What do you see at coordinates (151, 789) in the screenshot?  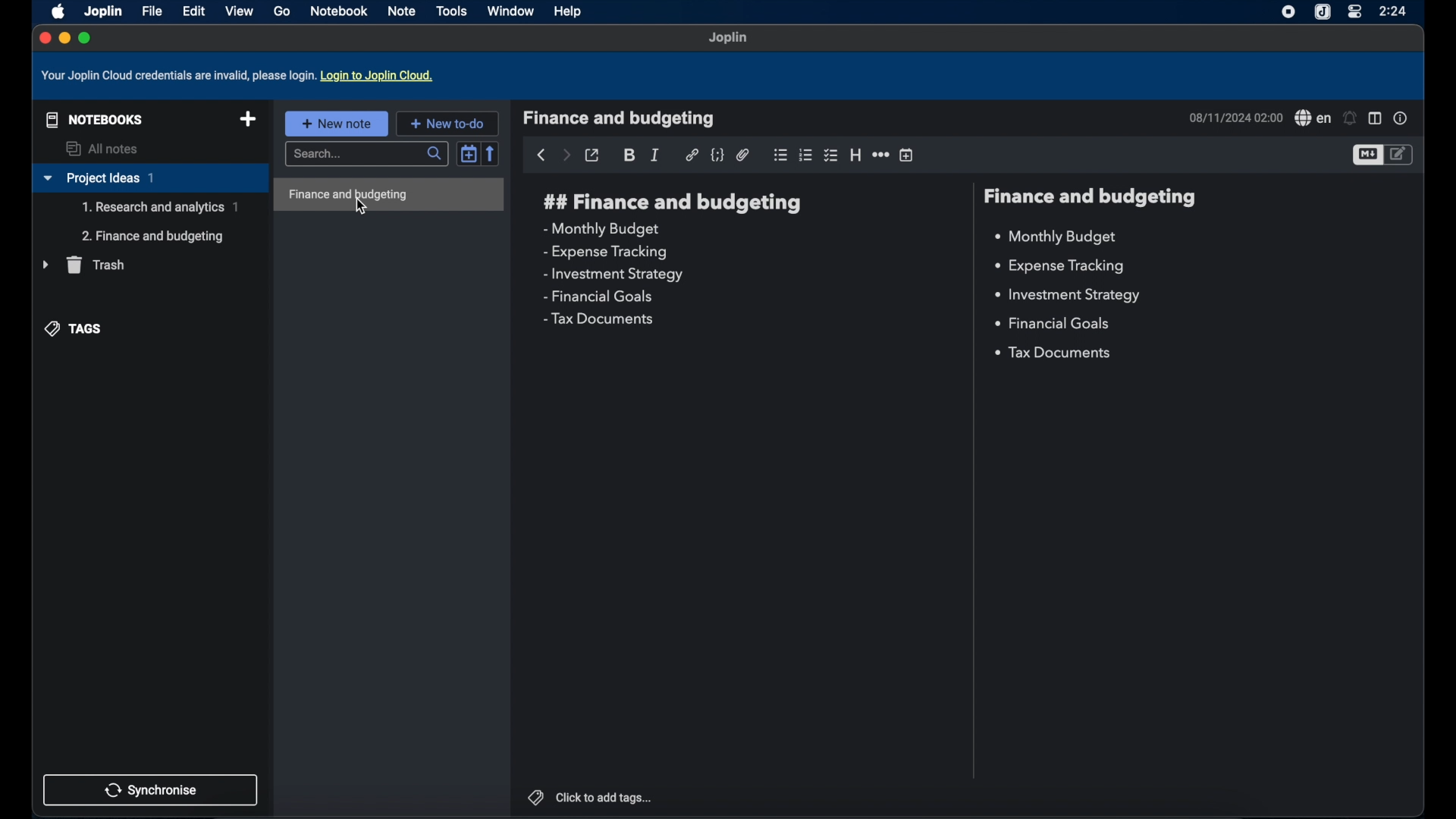 I see `synchronise` at bounding box center [151, 789].